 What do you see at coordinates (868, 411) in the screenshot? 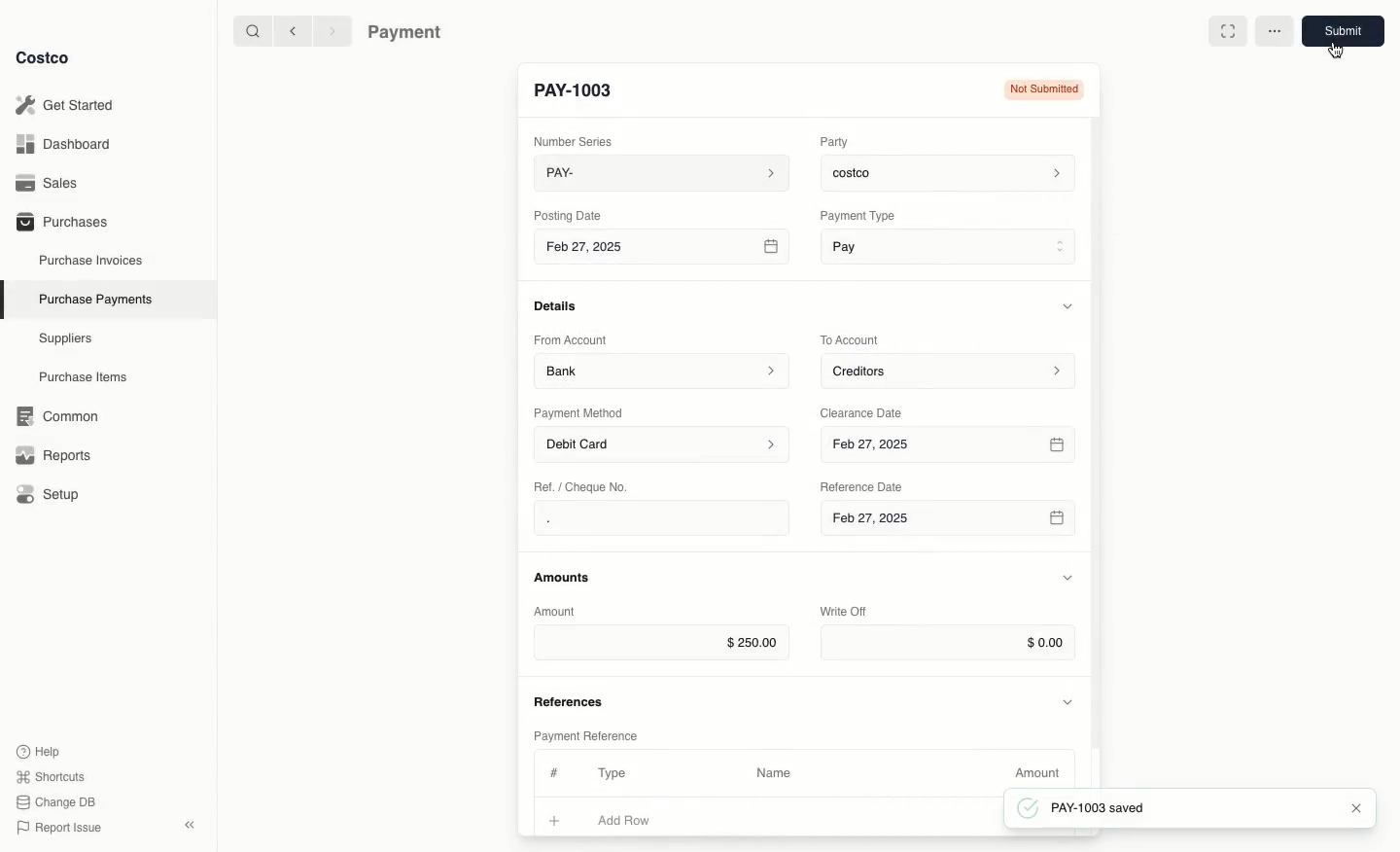
I see `Clearance Date` at bounding box center [868, 411].